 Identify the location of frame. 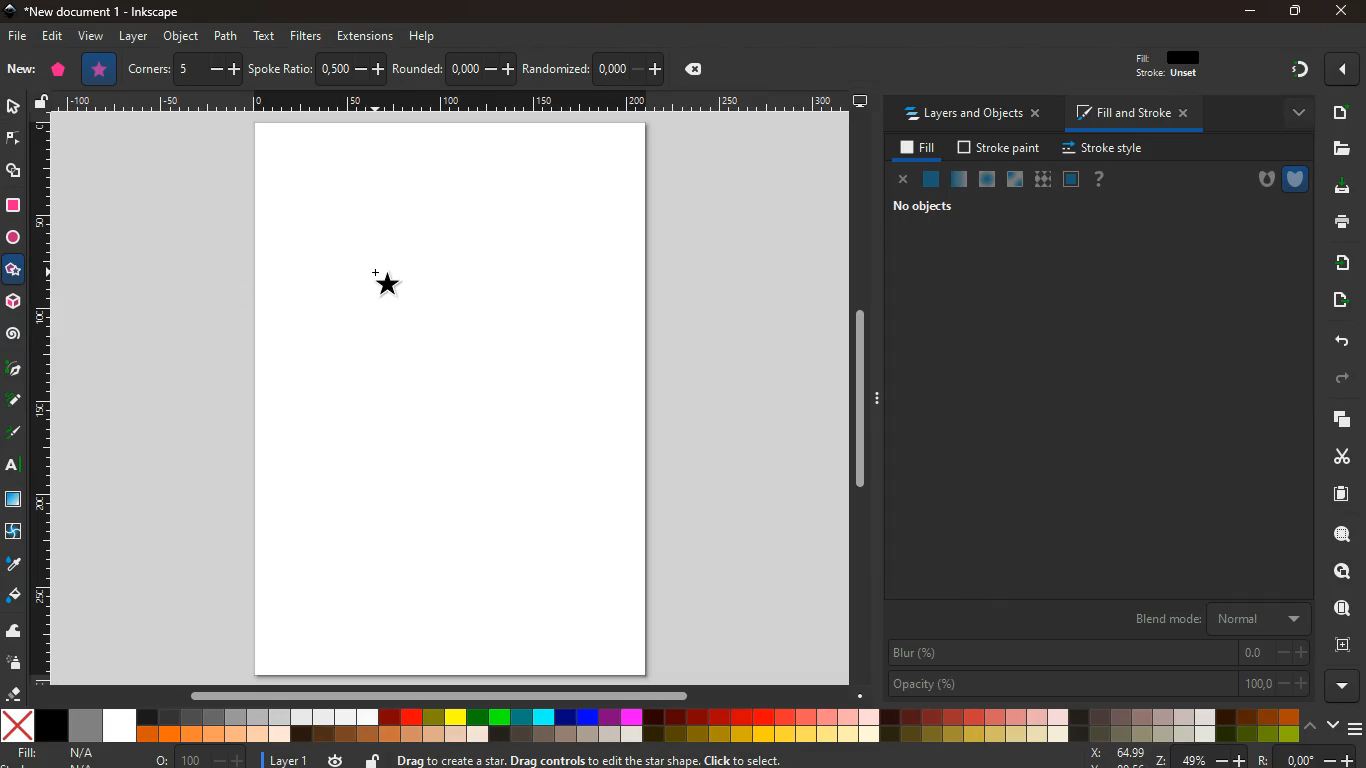
(1070, 178).